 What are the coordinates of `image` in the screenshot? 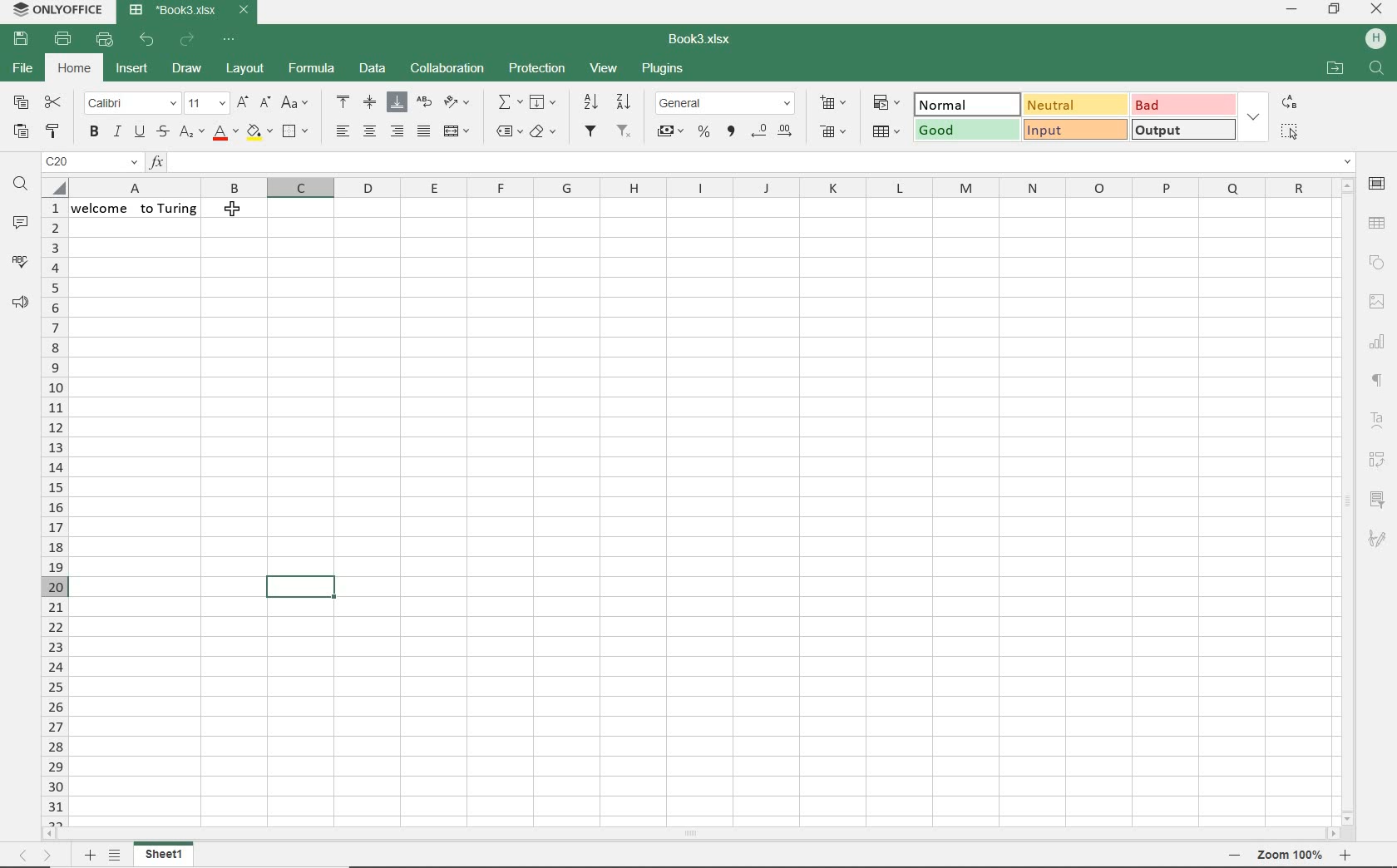 It's located at (1378, 304).